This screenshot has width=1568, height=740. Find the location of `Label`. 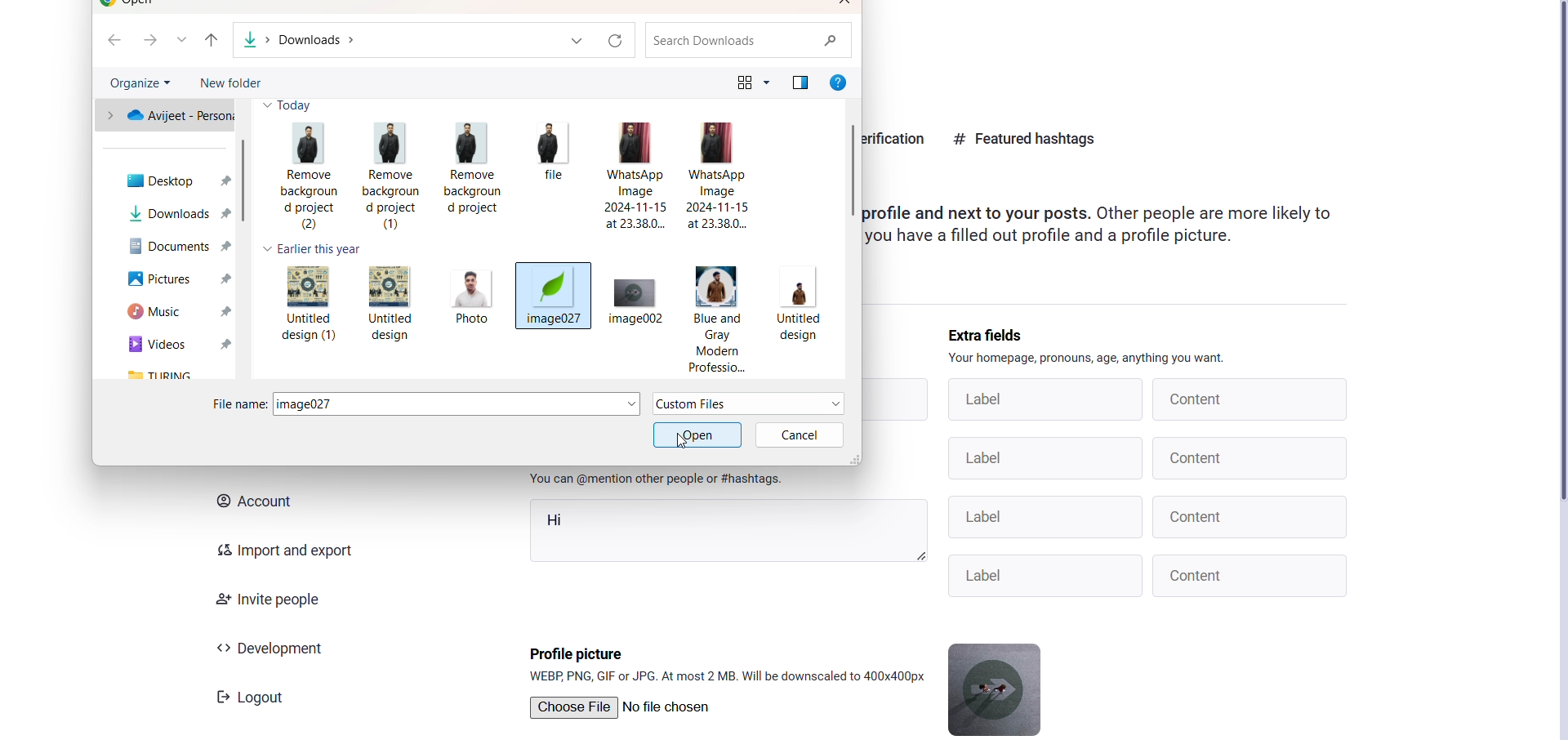

Label is located at coordinates (1045, 516).